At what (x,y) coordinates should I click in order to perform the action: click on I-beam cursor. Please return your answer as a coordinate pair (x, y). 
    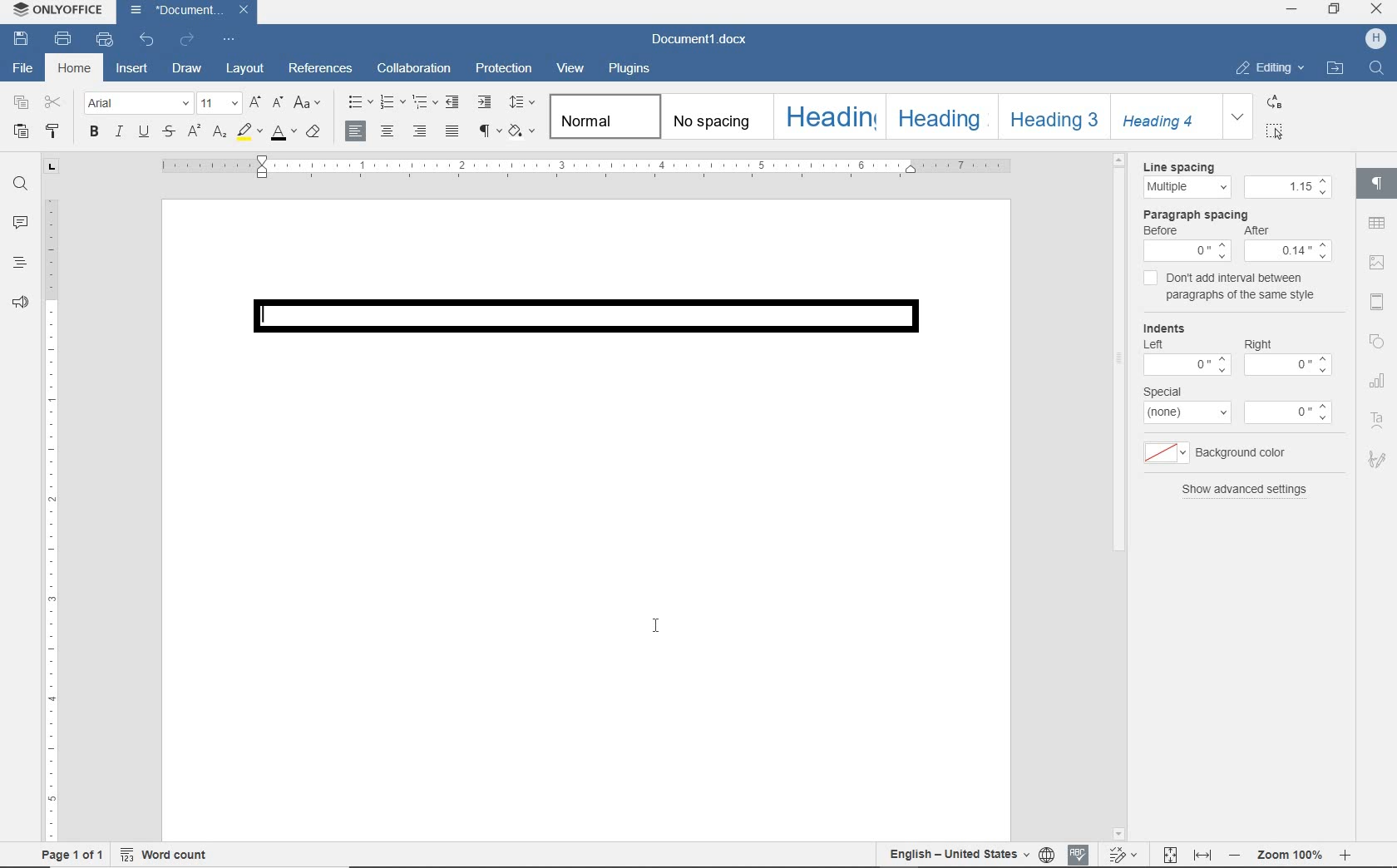
    Looking at the image, I should click on (648, 629).